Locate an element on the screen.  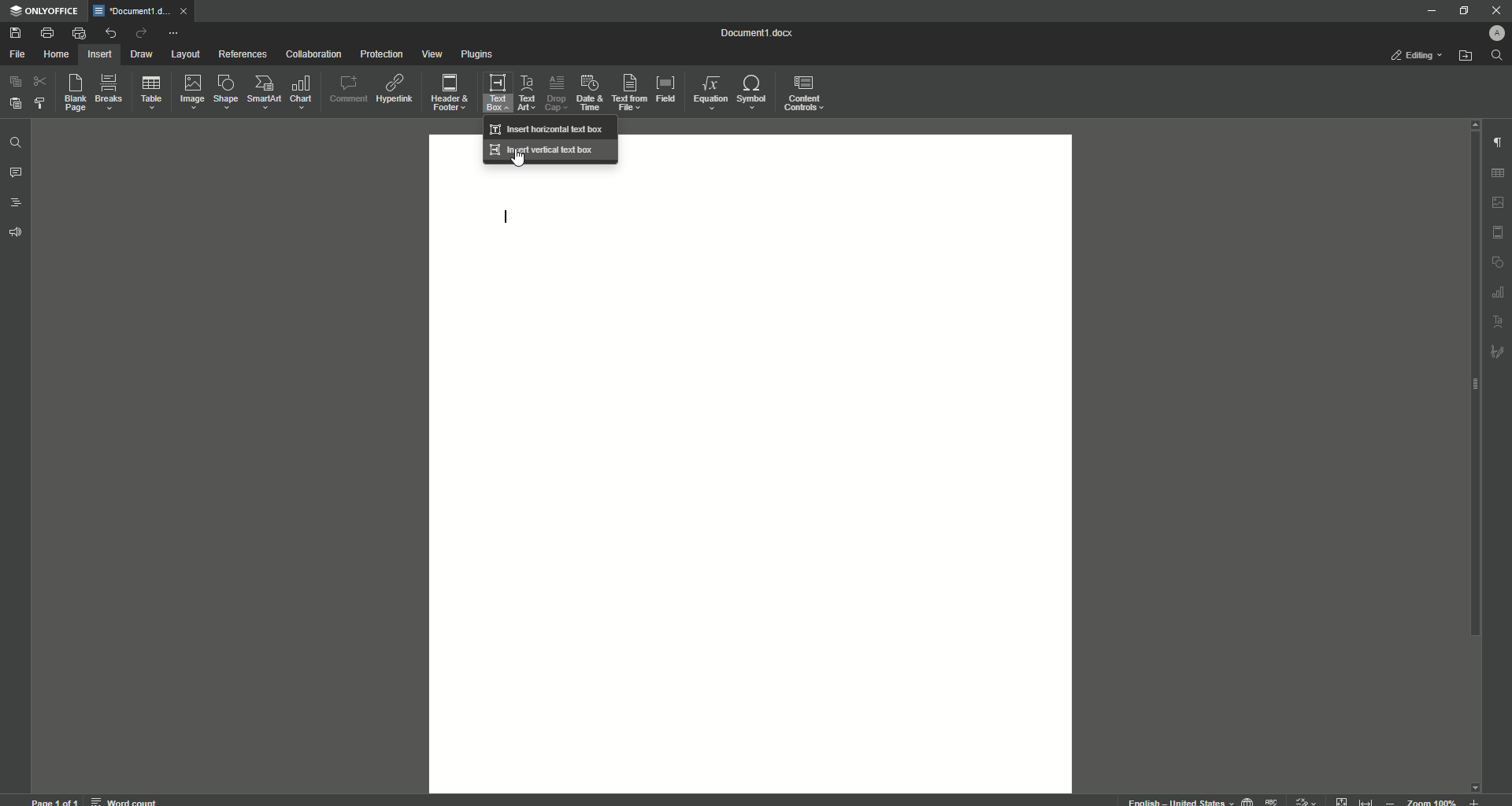
Text Art is located at coordinates (524, 93).